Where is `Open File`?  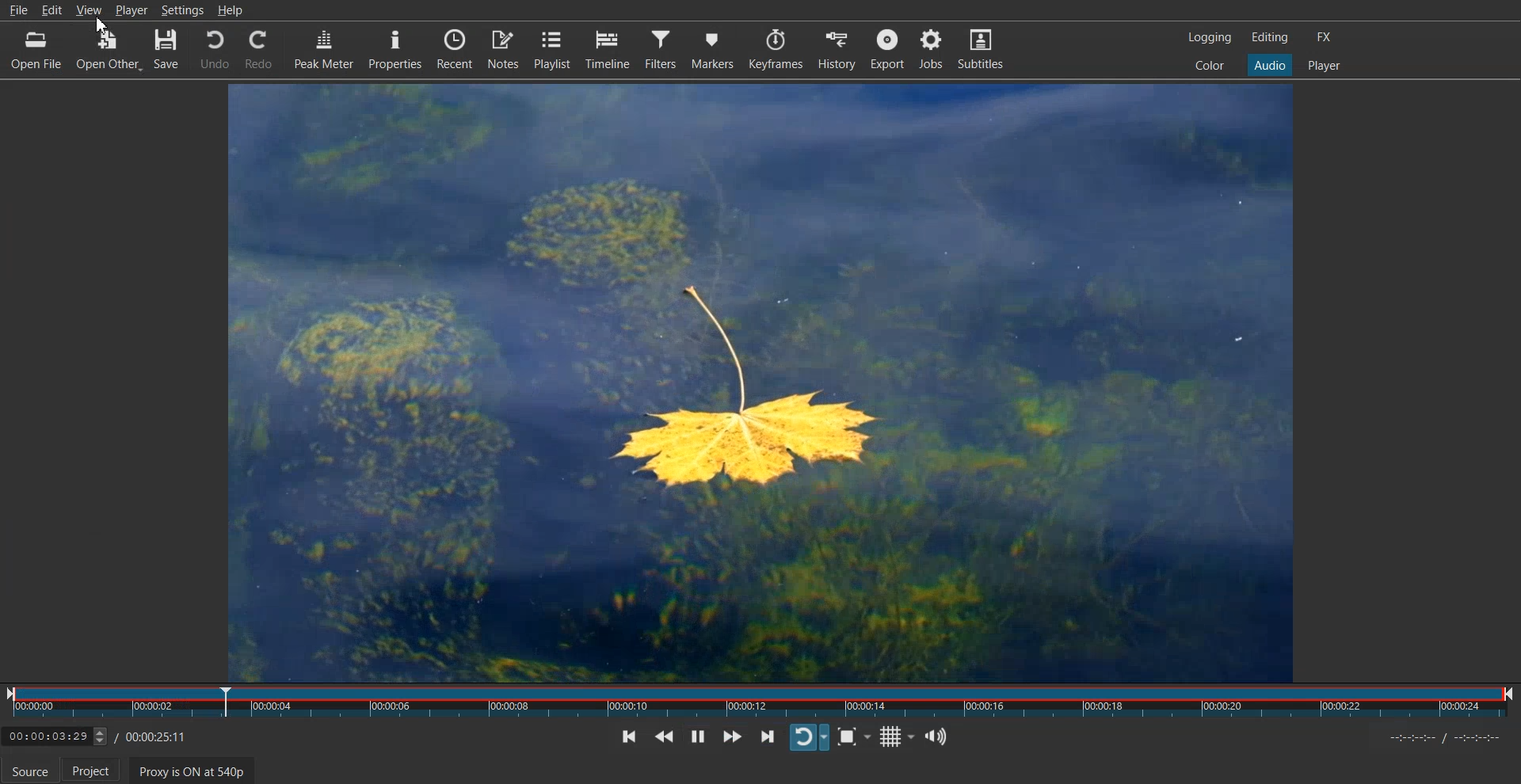 Open File is located at coordinates (29, 50).